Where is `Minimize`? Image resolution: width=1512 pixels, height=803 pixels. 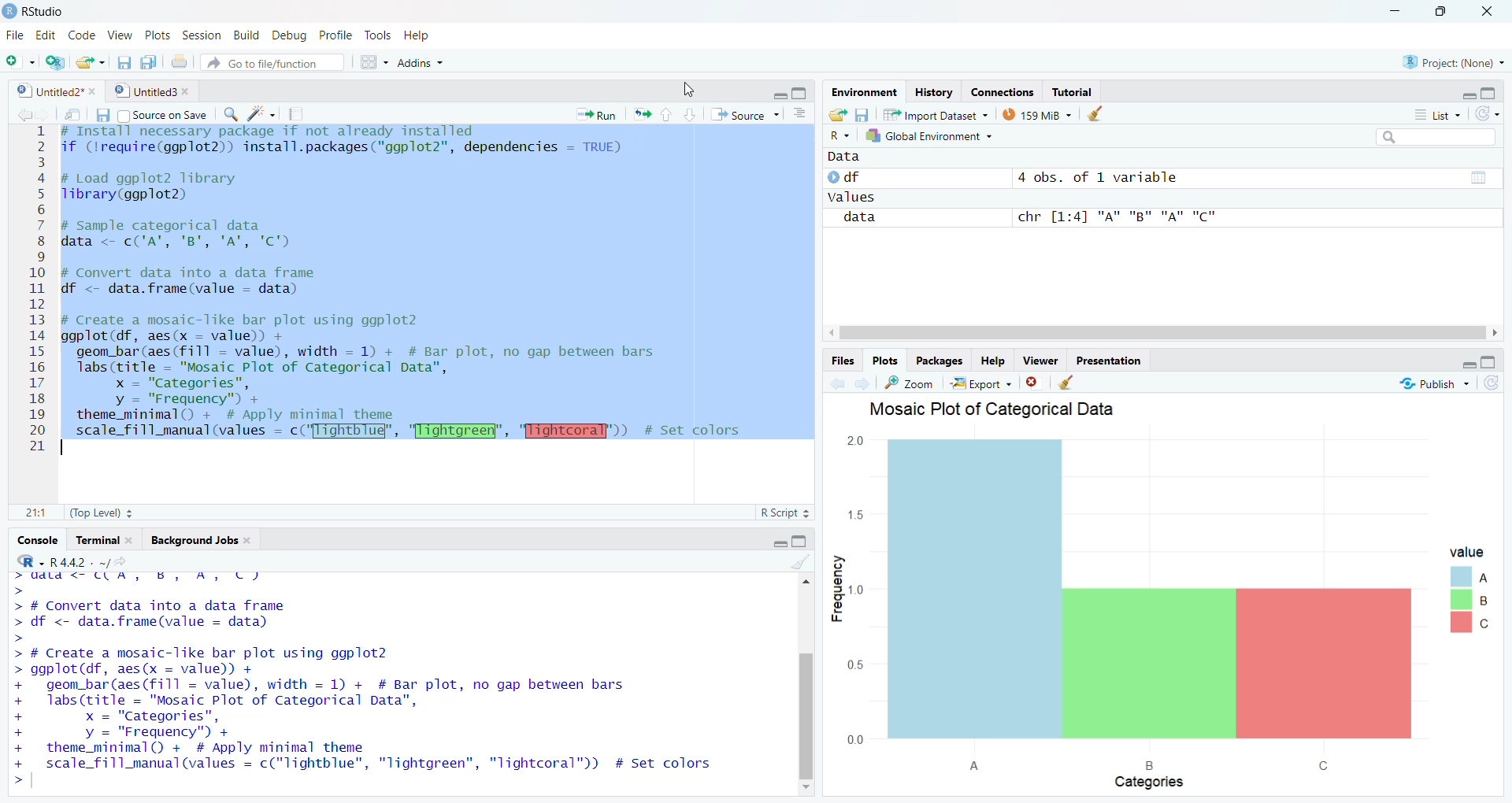
Minimize is located at coordinates (778, 96).